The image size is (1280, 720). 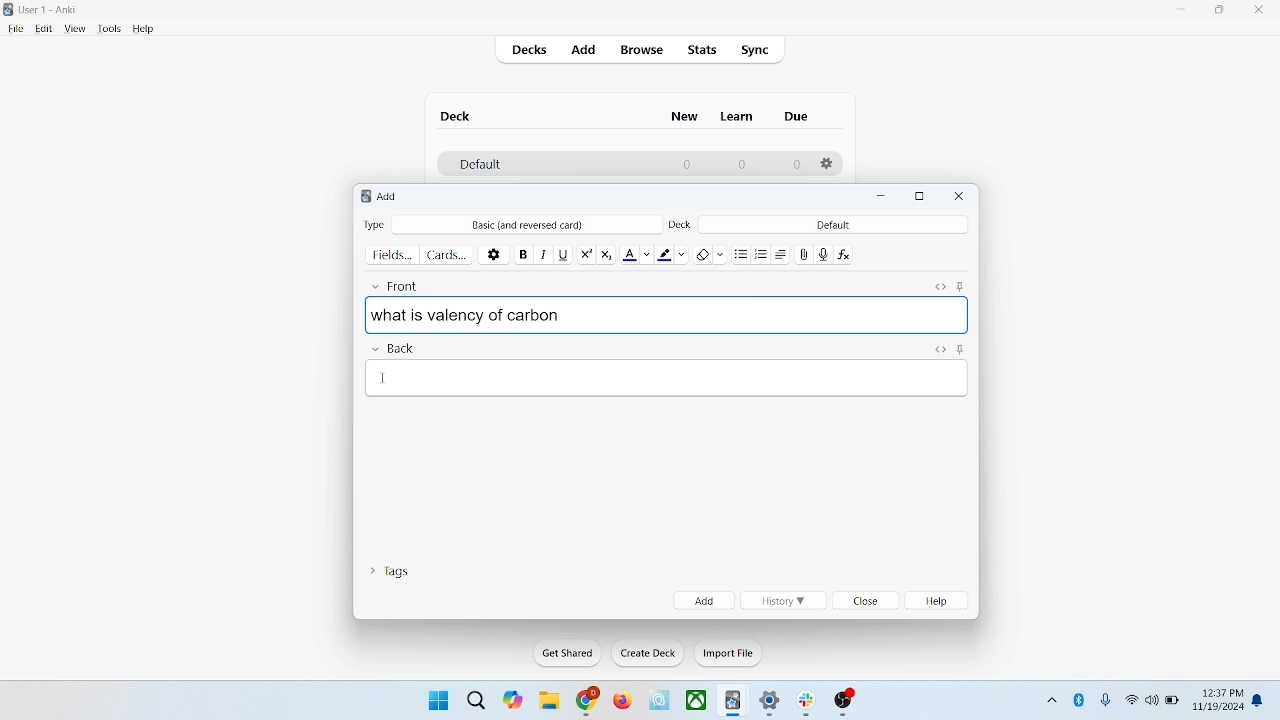 I want to click on logo, so click(x=362, y=198).